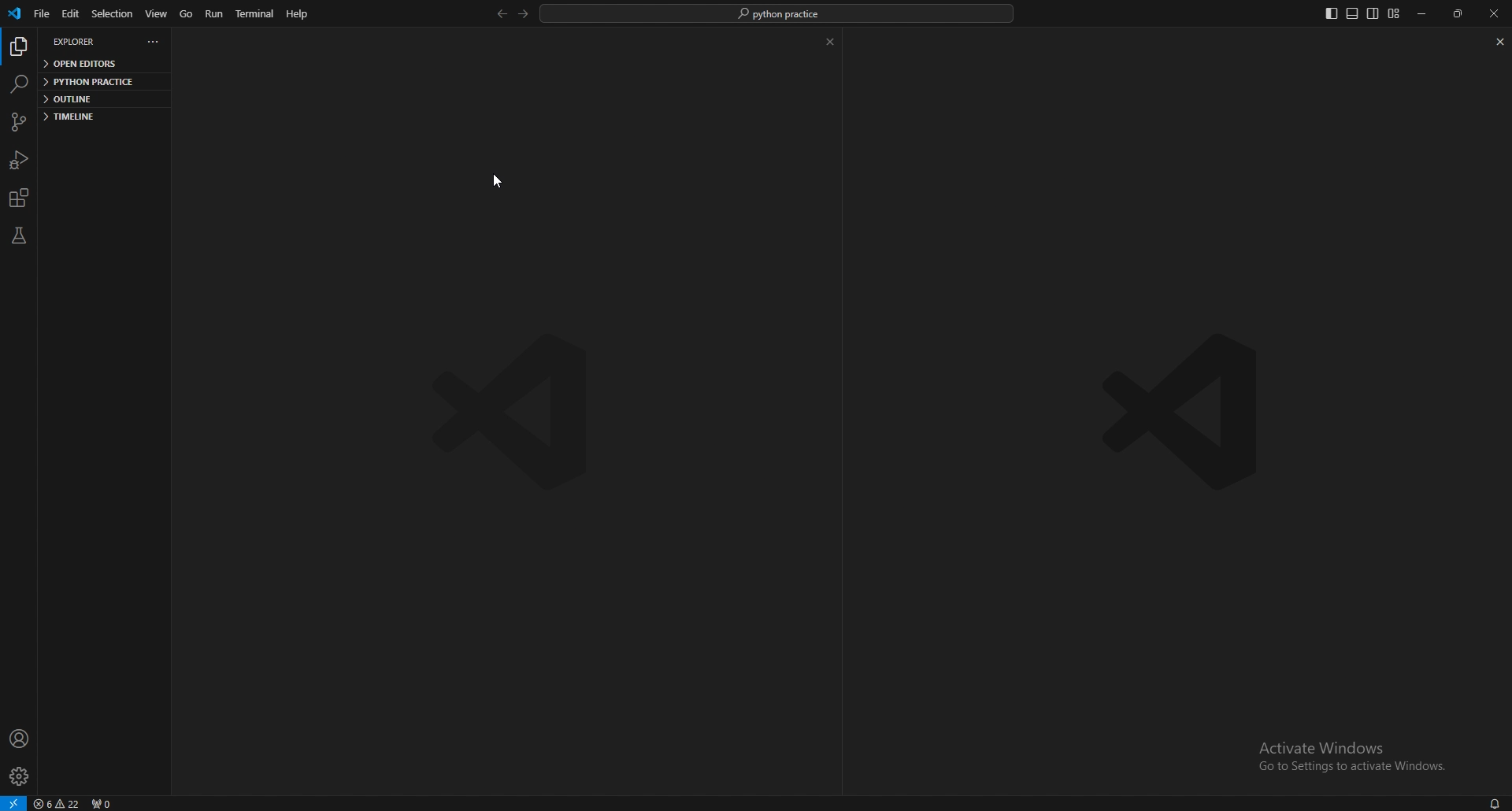  I want to click on search, so click(20, 84).